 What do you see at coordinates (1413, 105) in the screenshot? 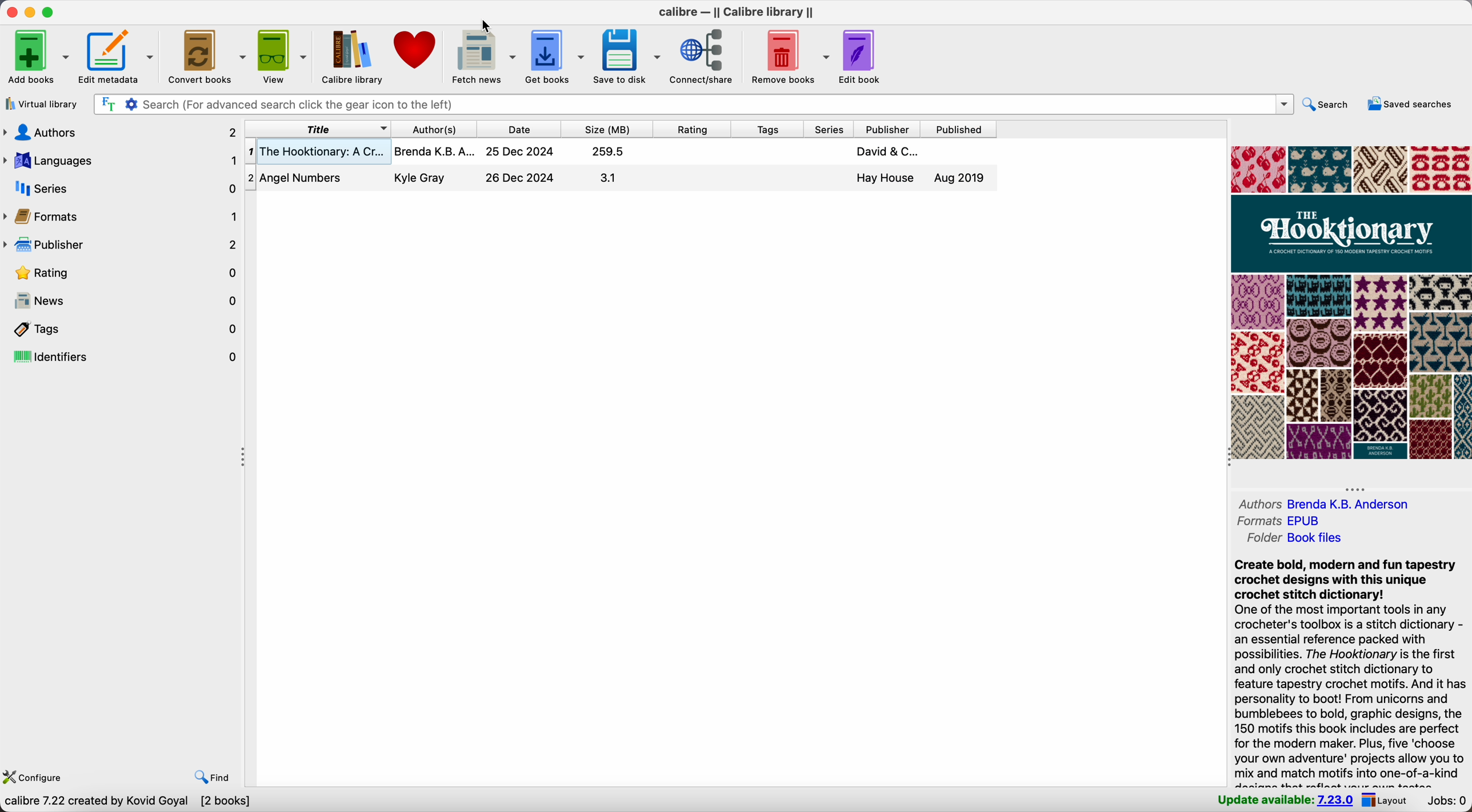
I see `saved searches` at bounding box center [1413, 105].